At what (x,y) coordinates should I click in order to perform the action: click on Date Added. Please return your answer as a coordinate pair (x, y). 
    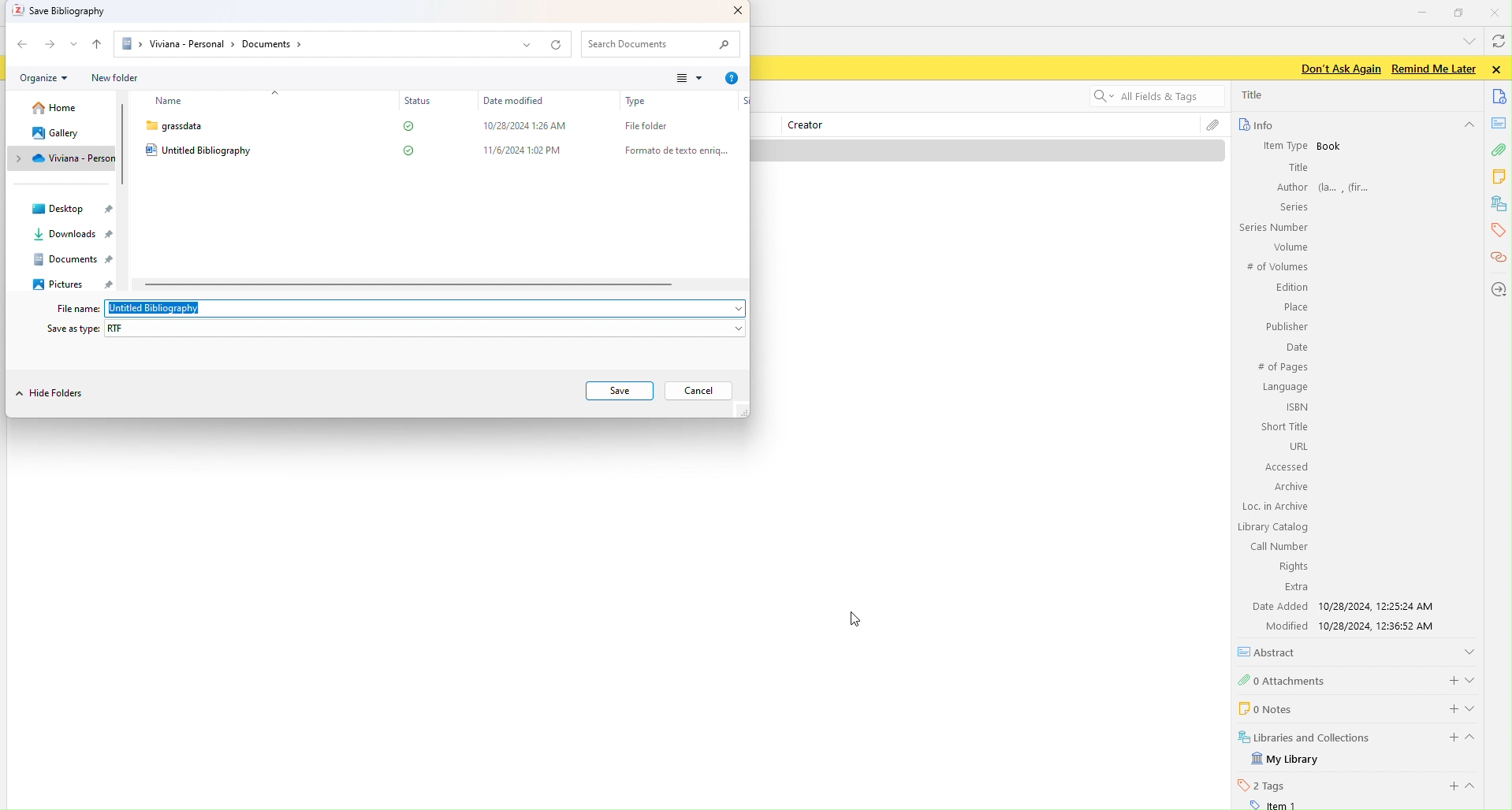
    Looking at the image, I should click on (1278, 606).